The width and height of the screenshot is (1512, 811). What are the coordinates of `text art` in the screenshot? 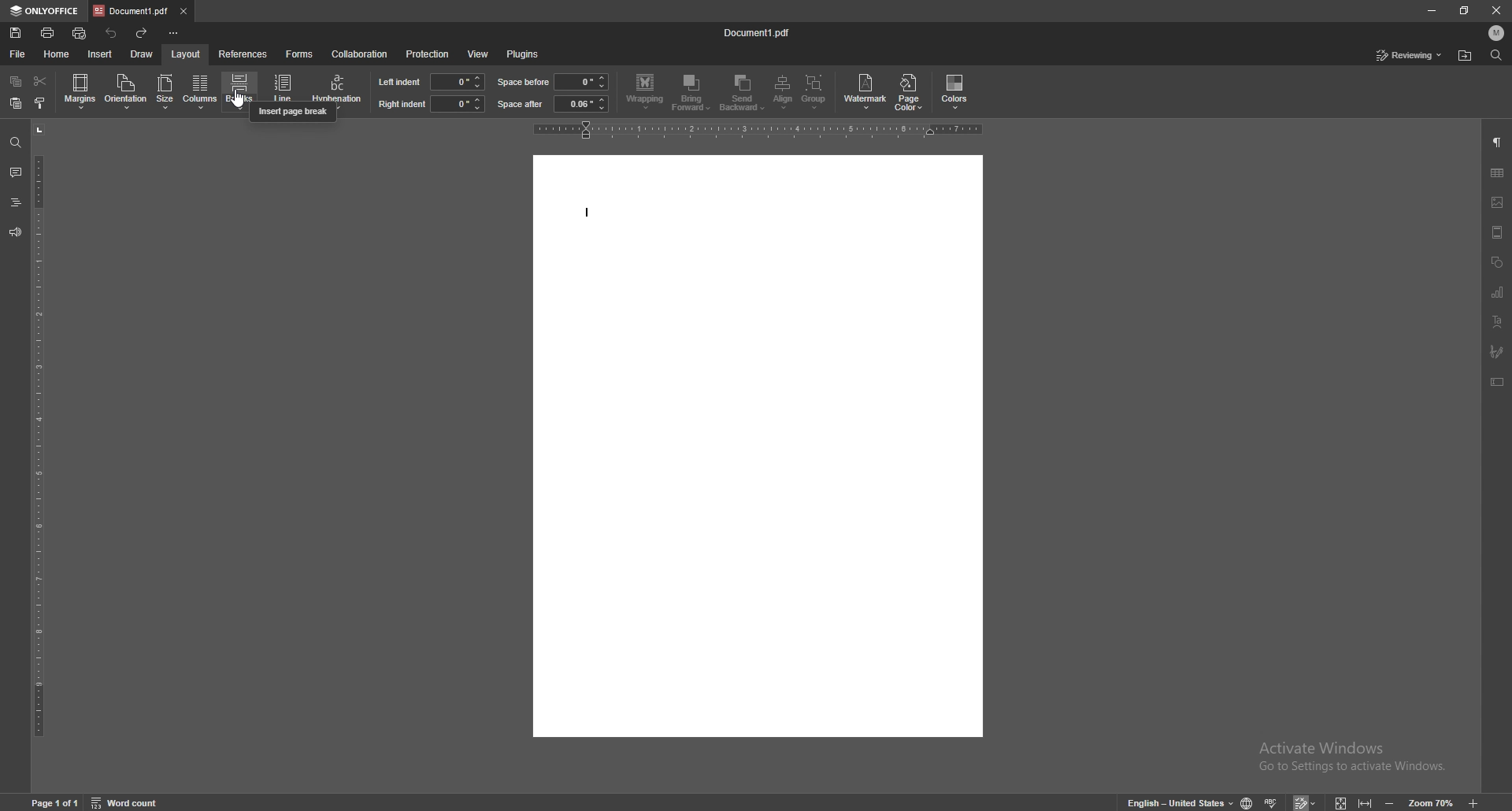 It's located at (1495, 322).